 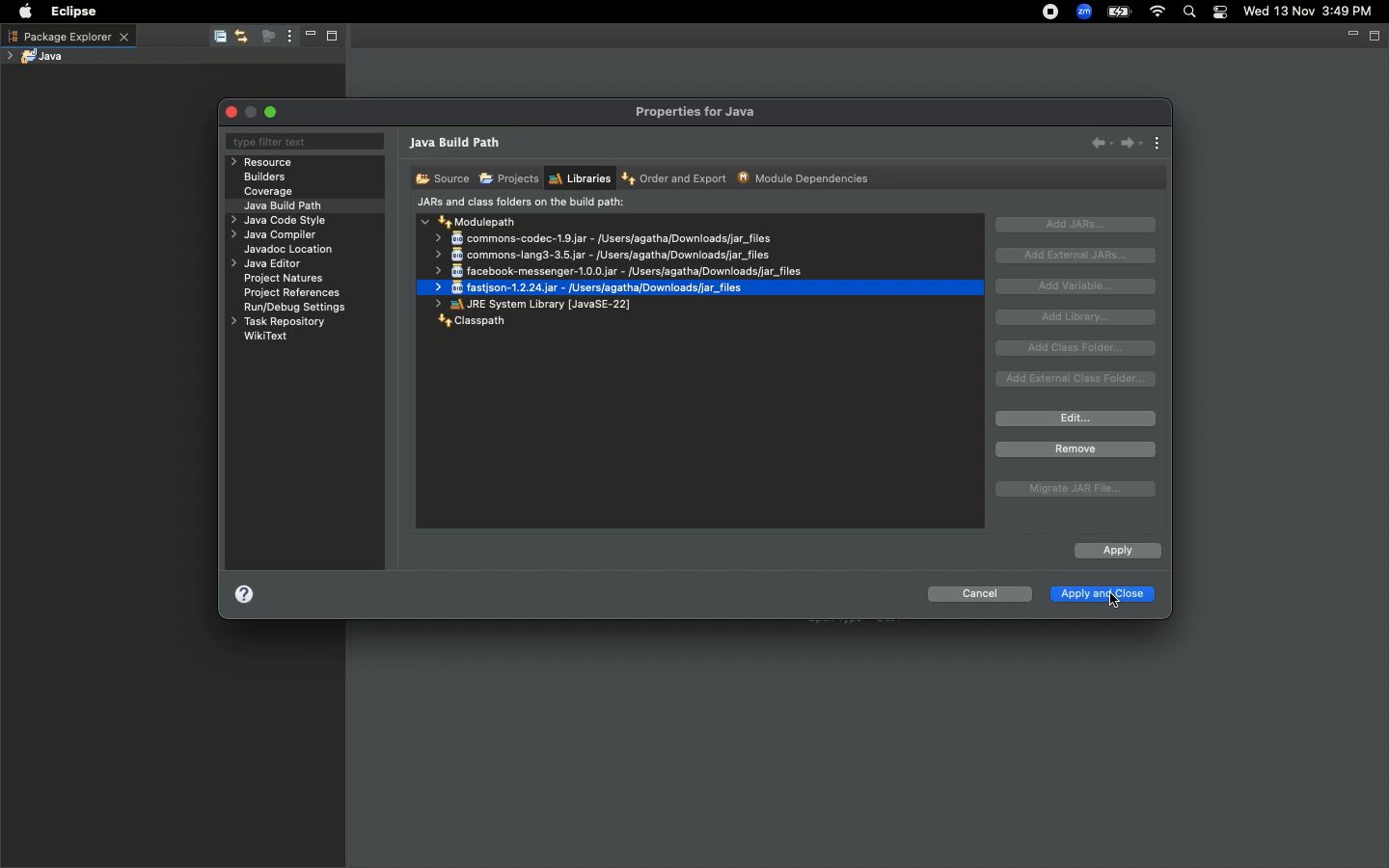 I want to click on Wed 13 Nov 3:49 PM, so click(x=1309, y=10).